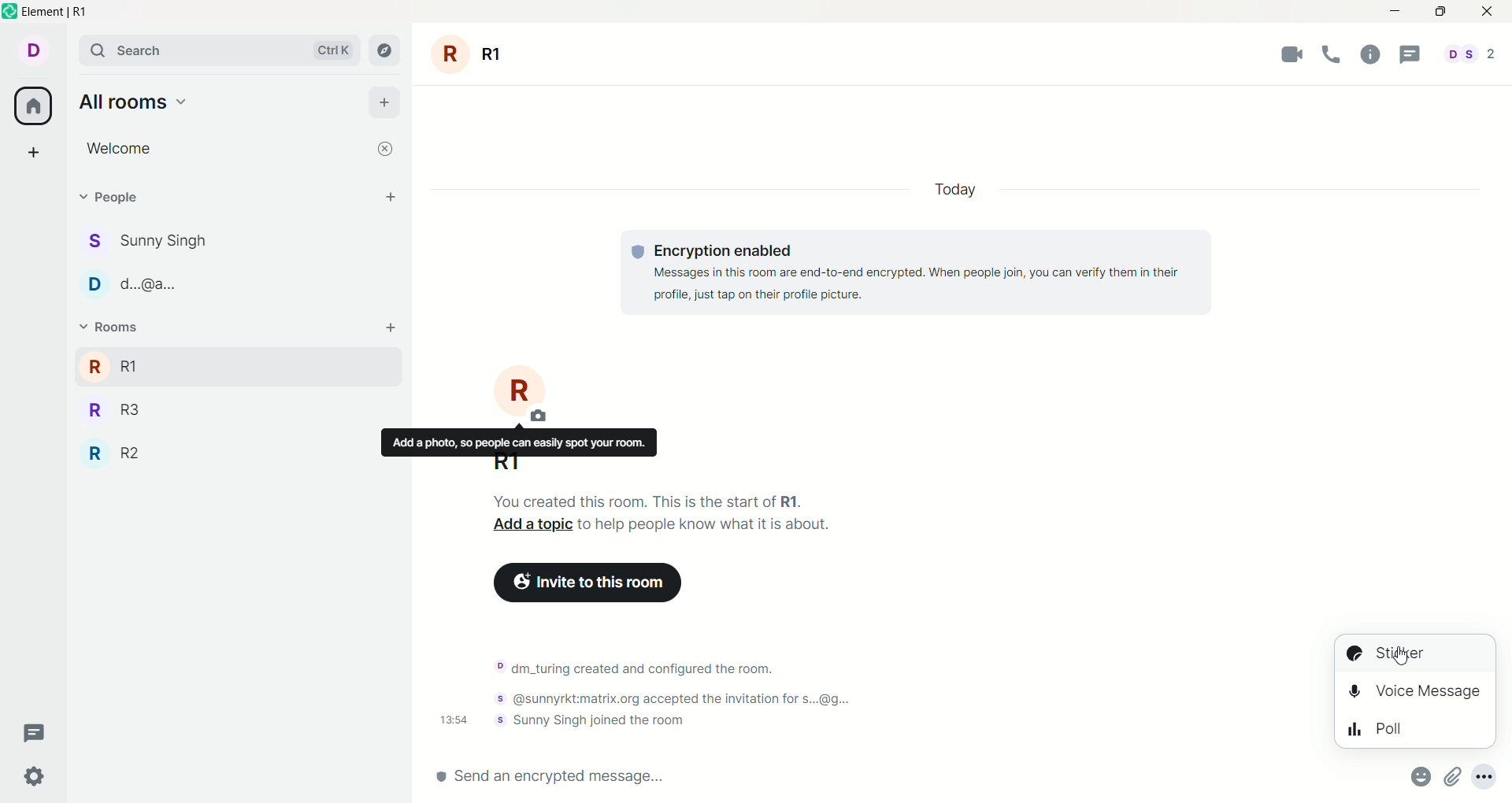 This screenshot has height=803, width=1512. What do you see at coordinates (213, 366) in the screenshot?
I see `R1 room` at bounding box center [213, 366].